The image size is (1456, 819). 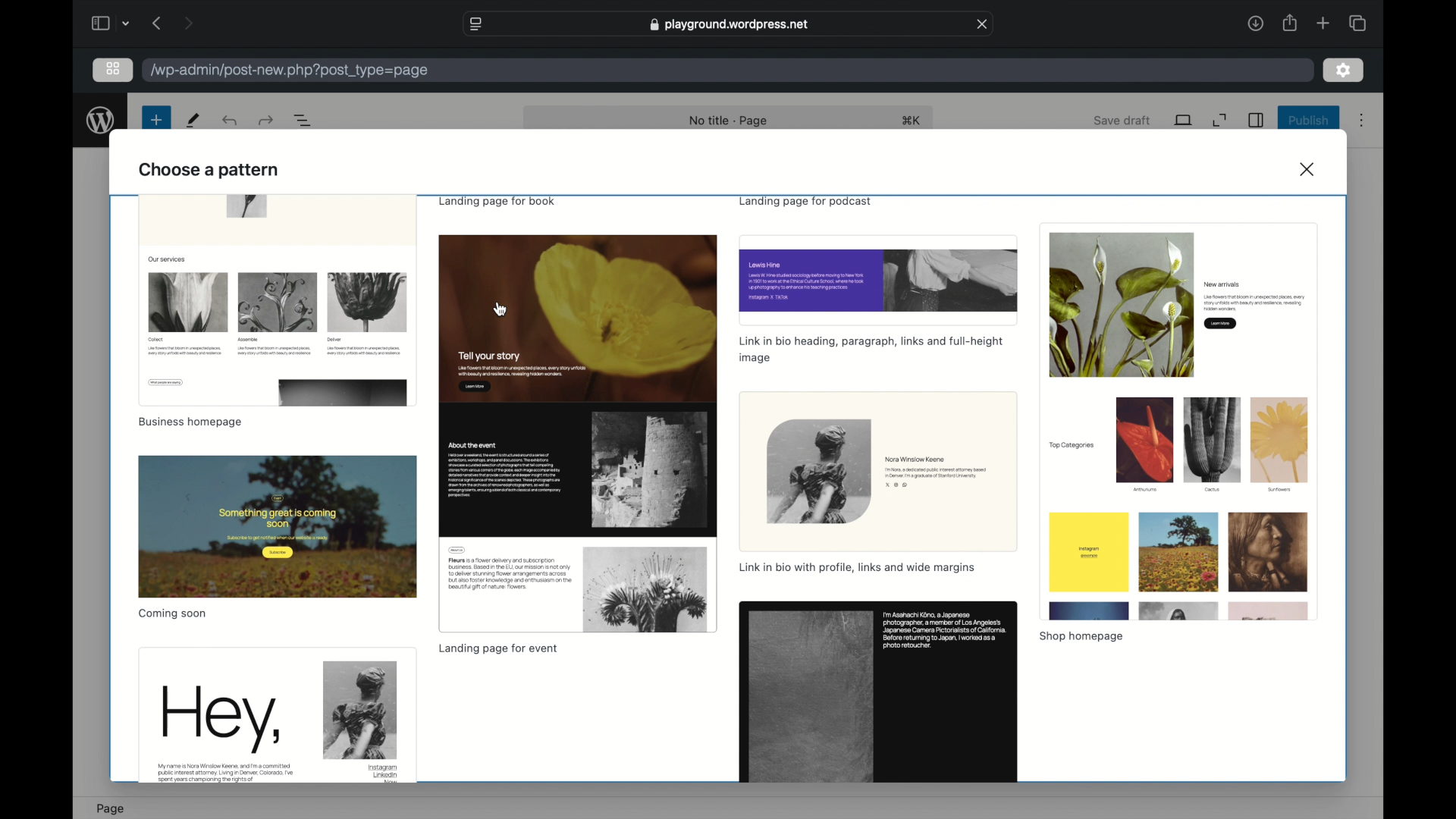 I want to click on preview, so click(x=1178, y=422).